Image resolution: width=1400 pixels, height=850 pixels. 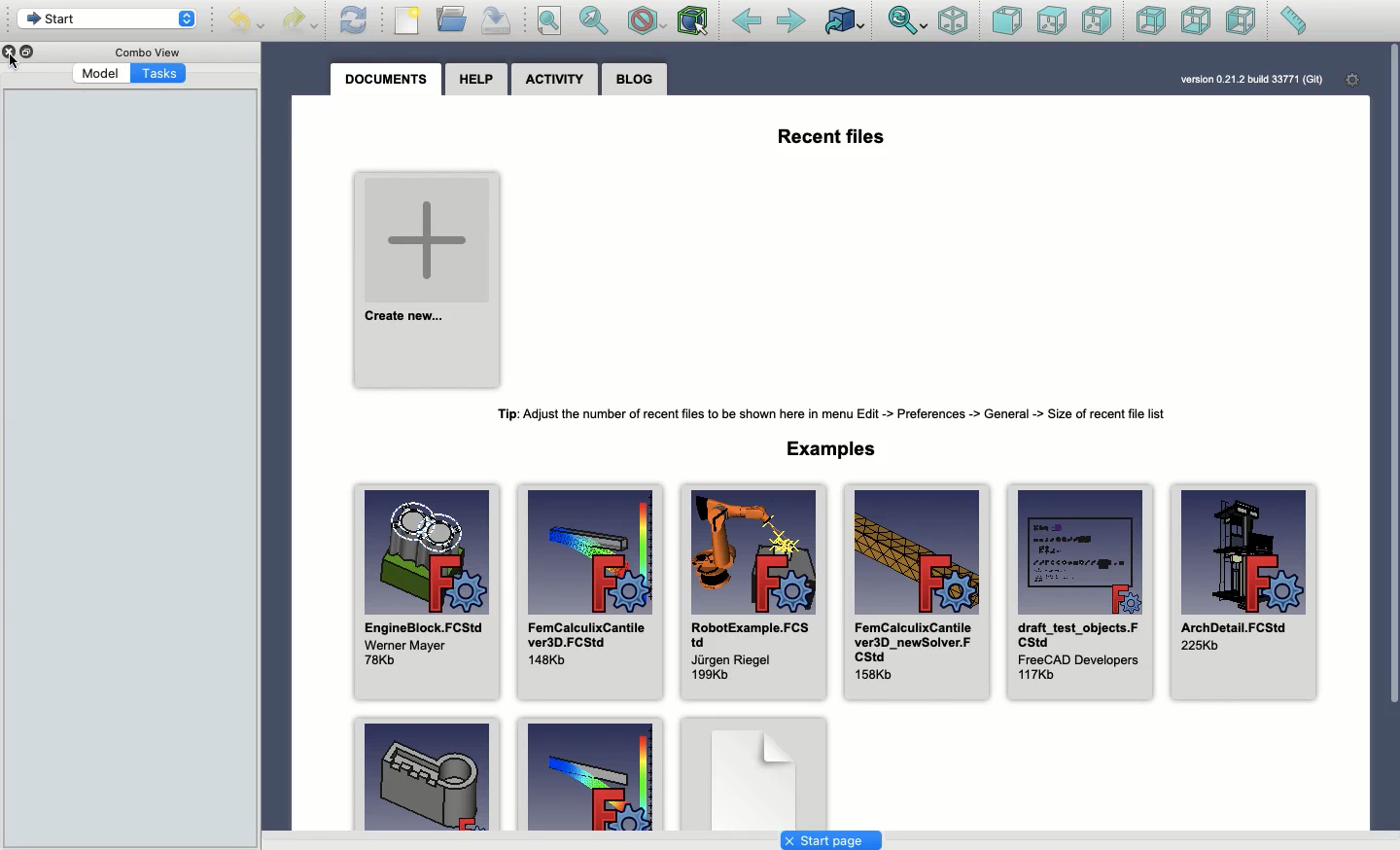 What do you see at coordinates (300, 18) in the screenshot?
I see `Redo` at bounding box center [300, 18].